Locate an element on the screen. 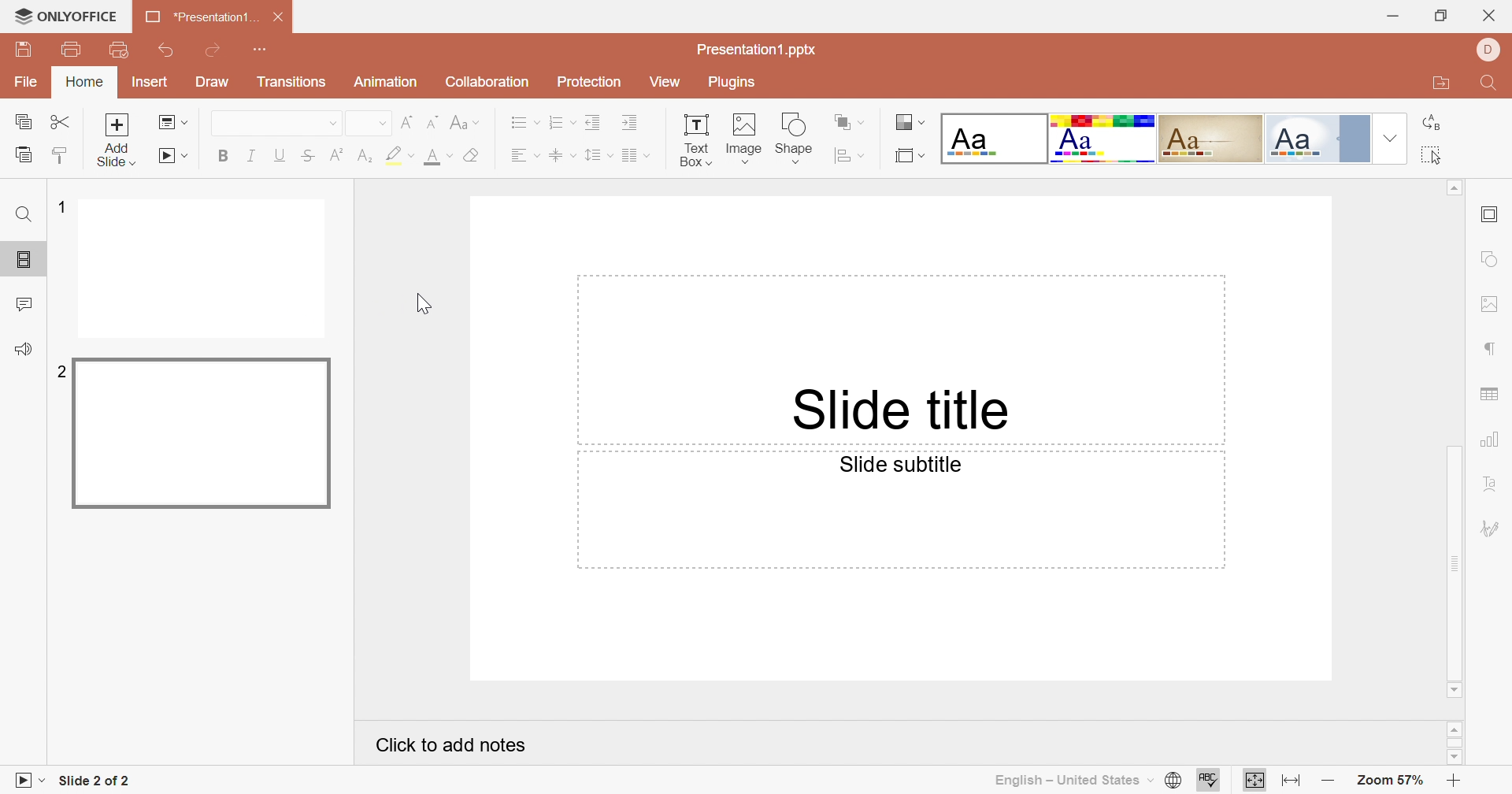 This screenshot has width=1512, height=794. Redo is located at coordinates (213, 50).